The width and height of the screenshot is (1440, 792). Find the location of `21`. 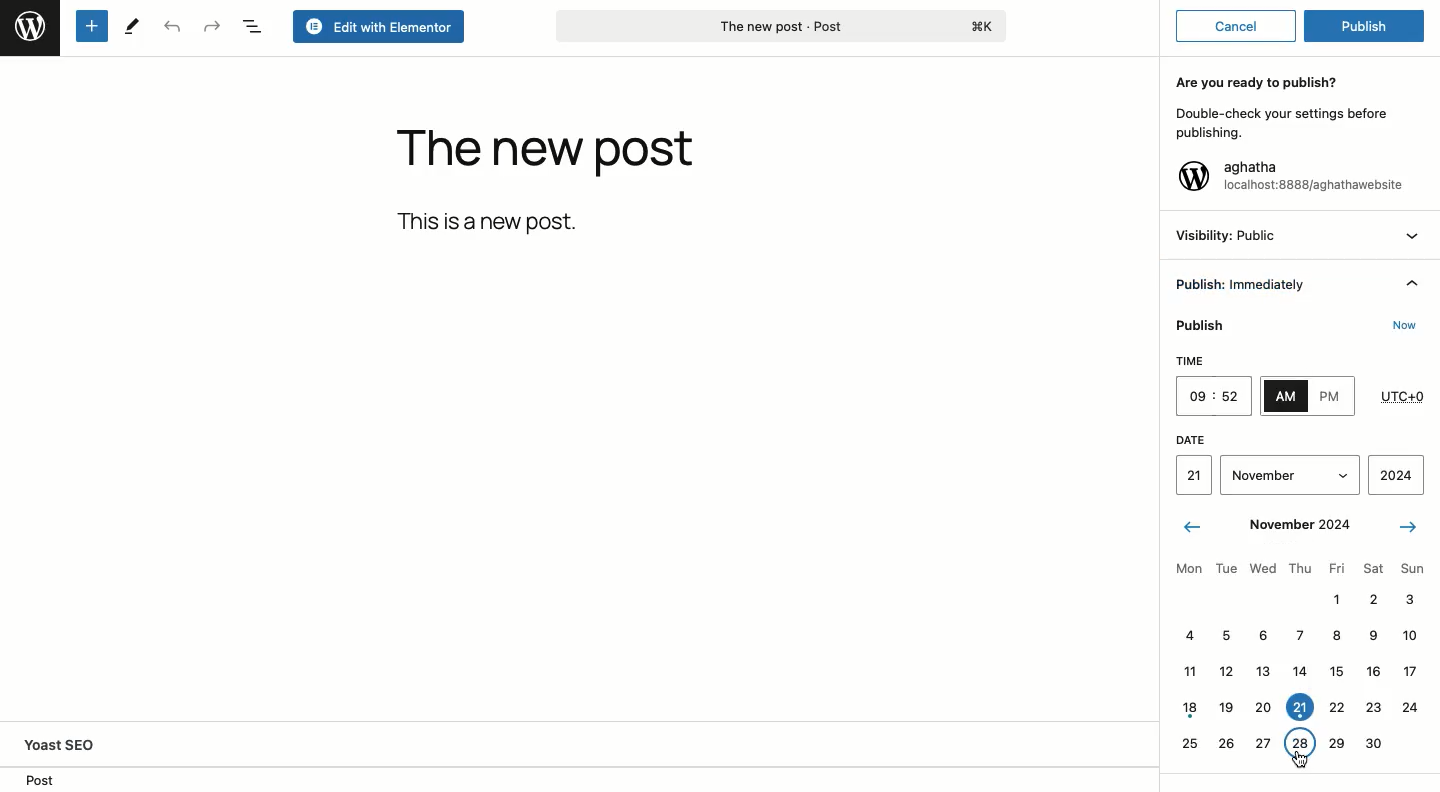

21 is located at coordinates (1299, 707).